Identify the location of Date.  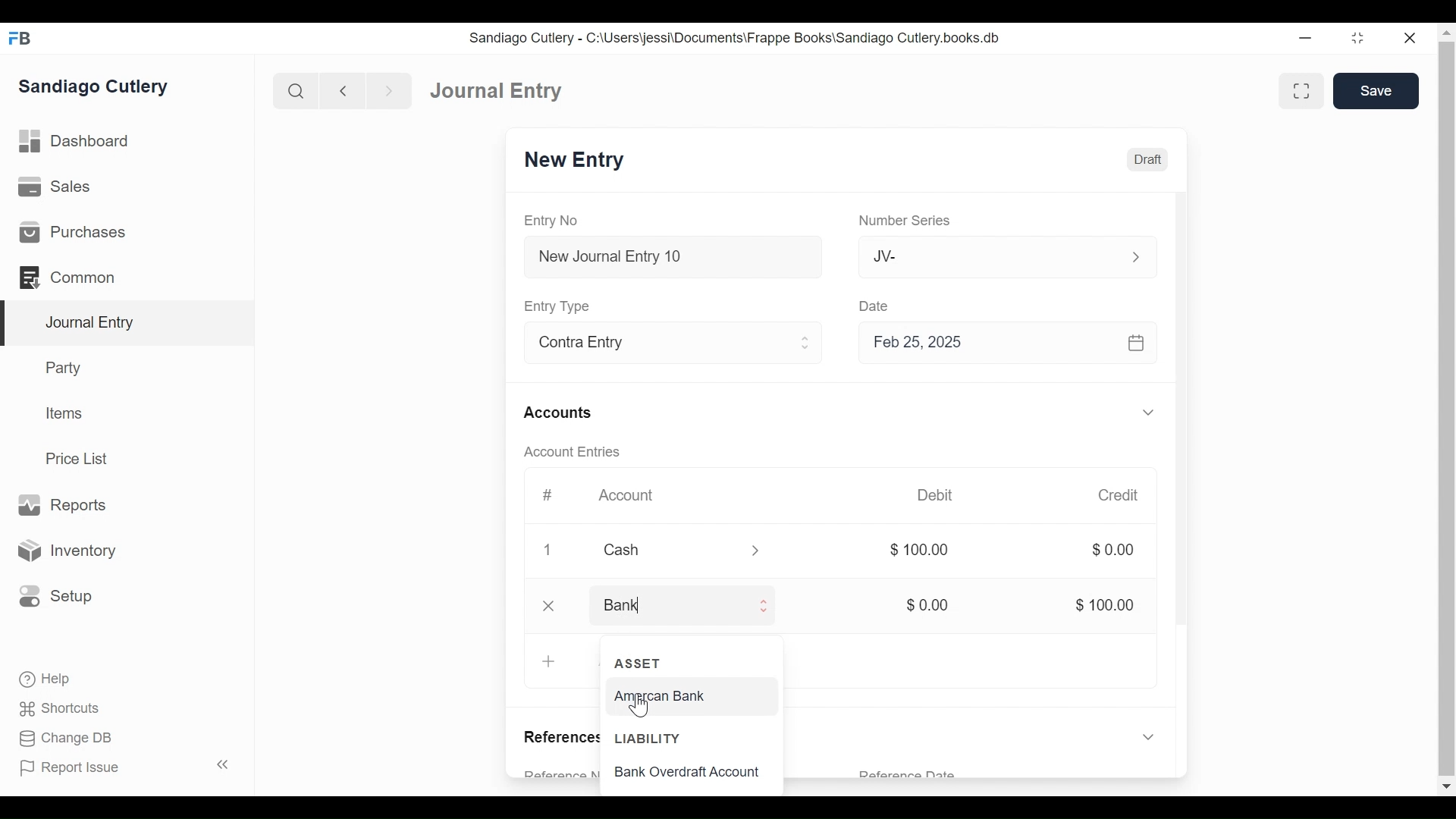
(880, 306).